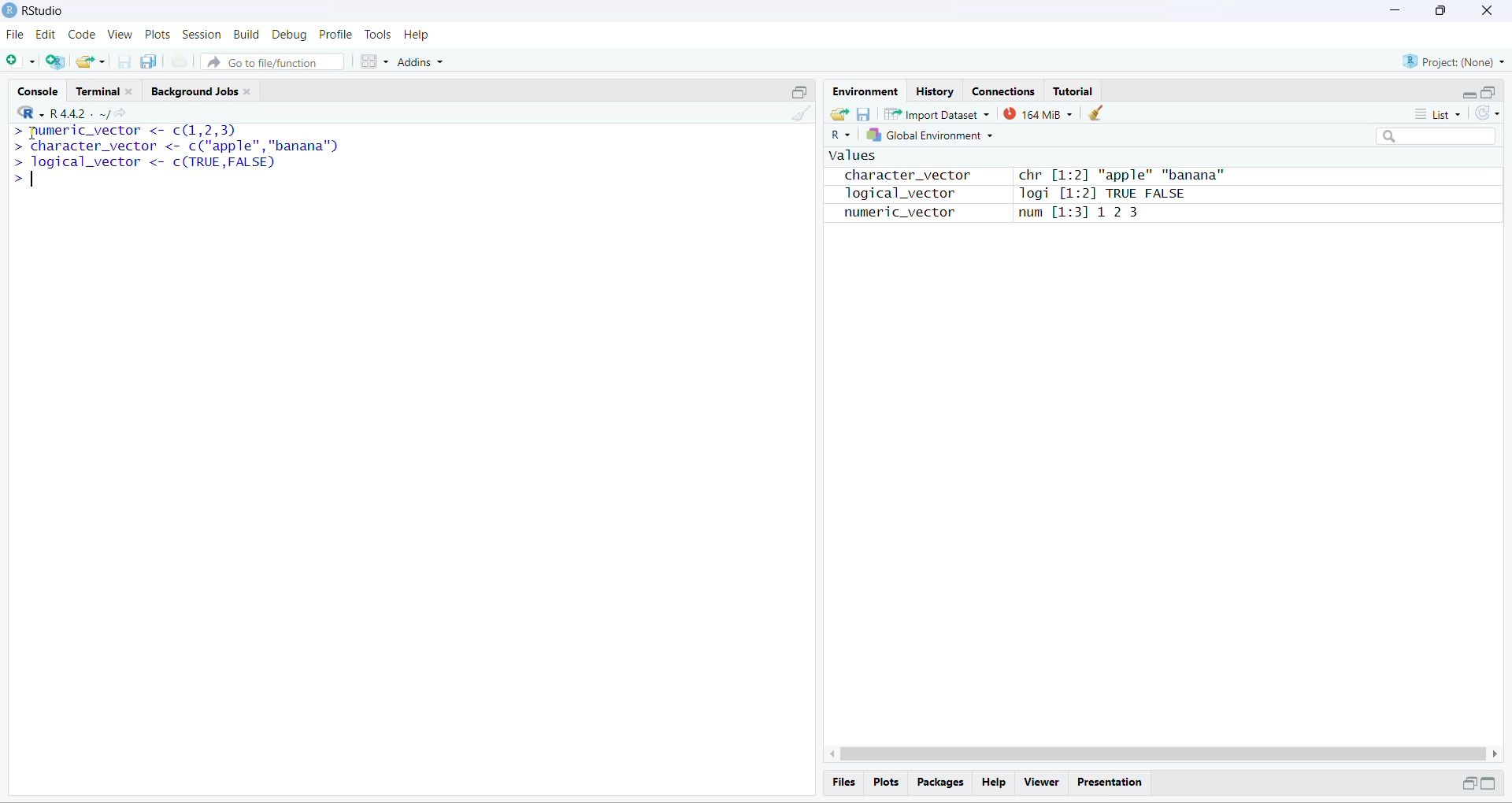 The height and width of the screenshot is (803, 1512). What do you see at coordinates (421, 62) in the screenshot?
I see `Addins` at bounding box center [421, 62].